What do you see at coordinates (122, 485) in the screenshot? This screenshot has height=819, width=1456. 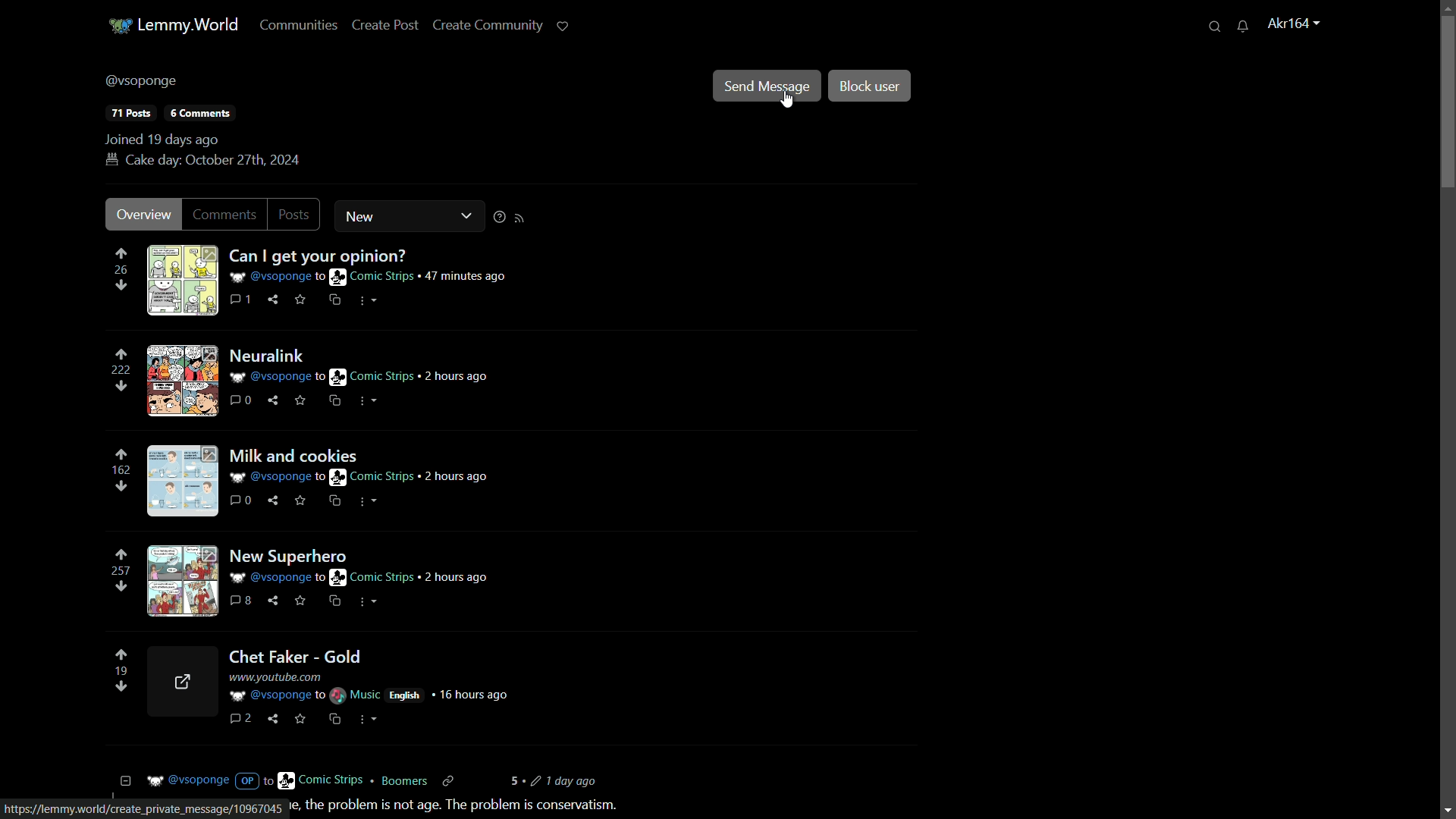 I see `downvote` at bounding box center [122, 485].